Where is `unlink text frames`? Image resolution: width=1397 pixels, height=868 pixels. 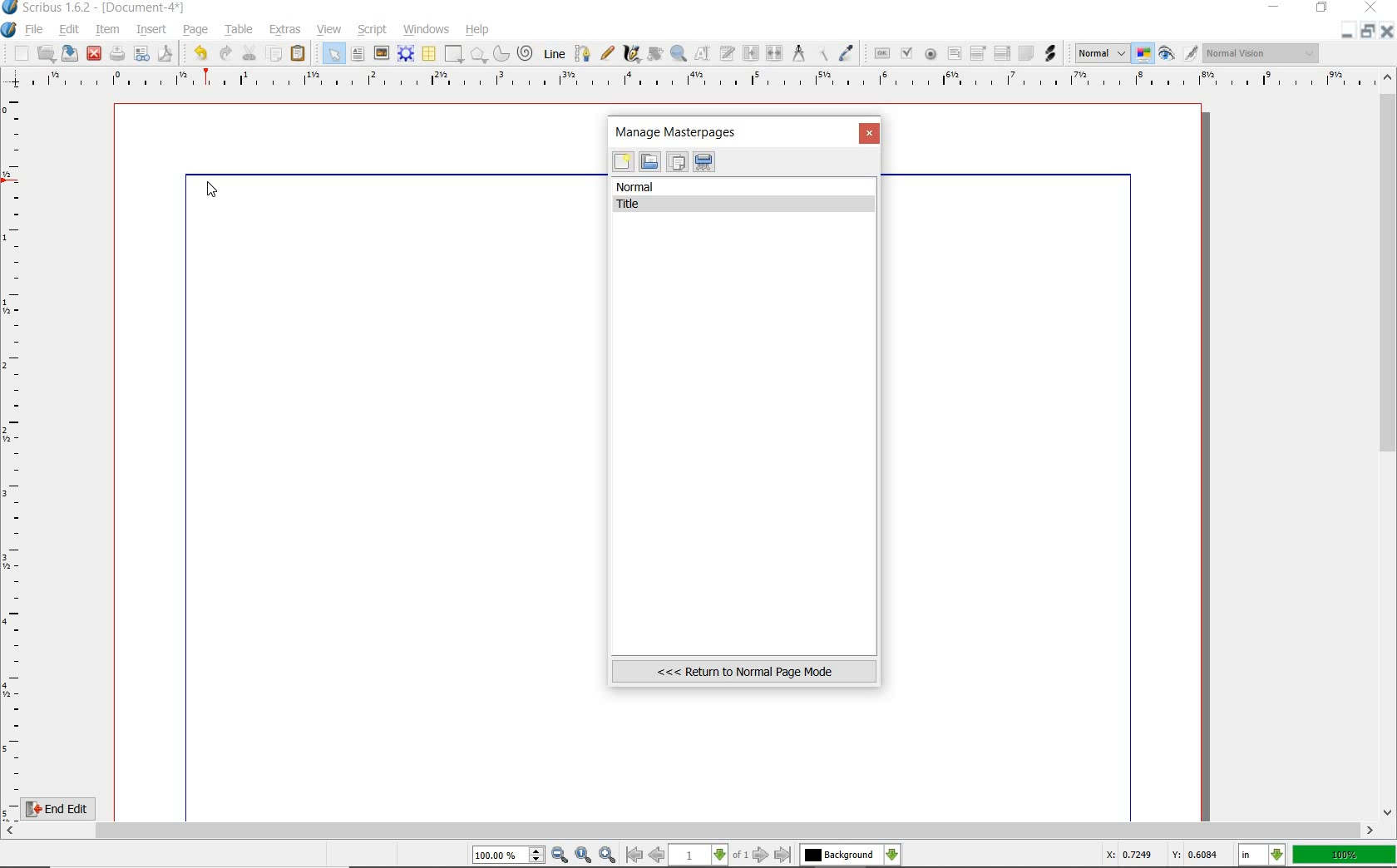 unlink text frames is located at coordinates (775, 54).